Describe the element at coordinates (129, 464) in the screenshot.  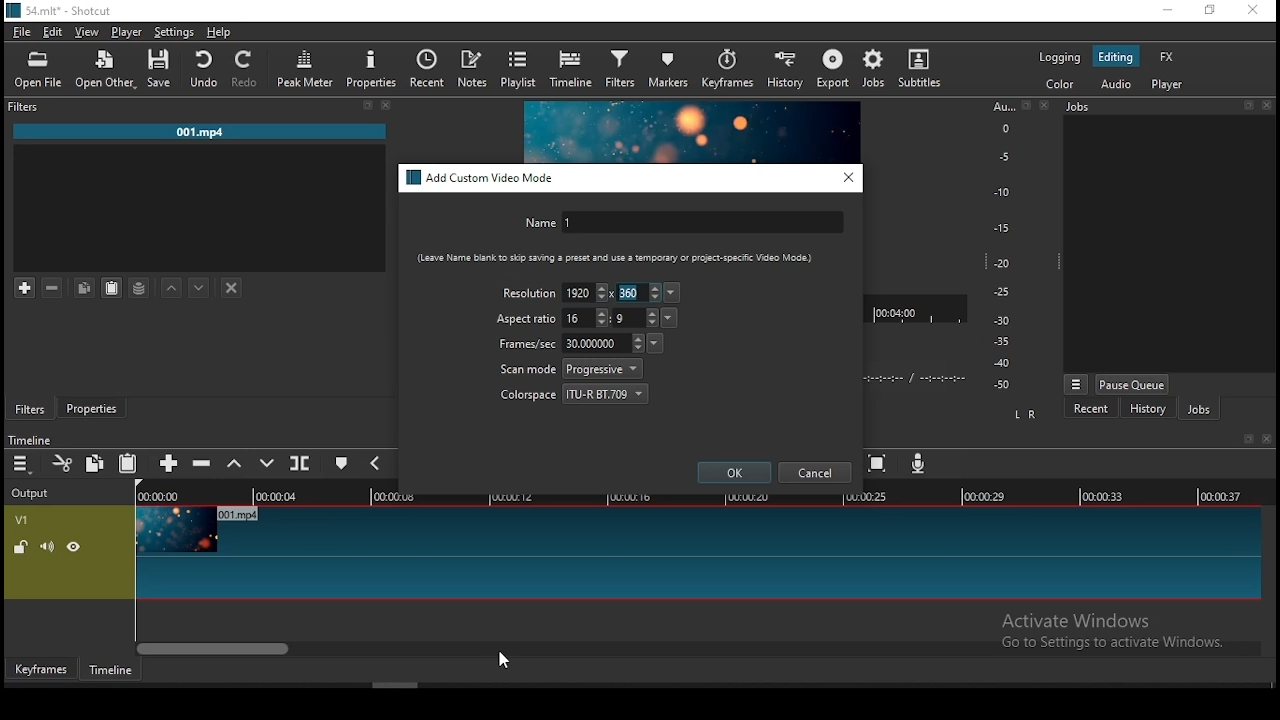
I see `paste` at that location.